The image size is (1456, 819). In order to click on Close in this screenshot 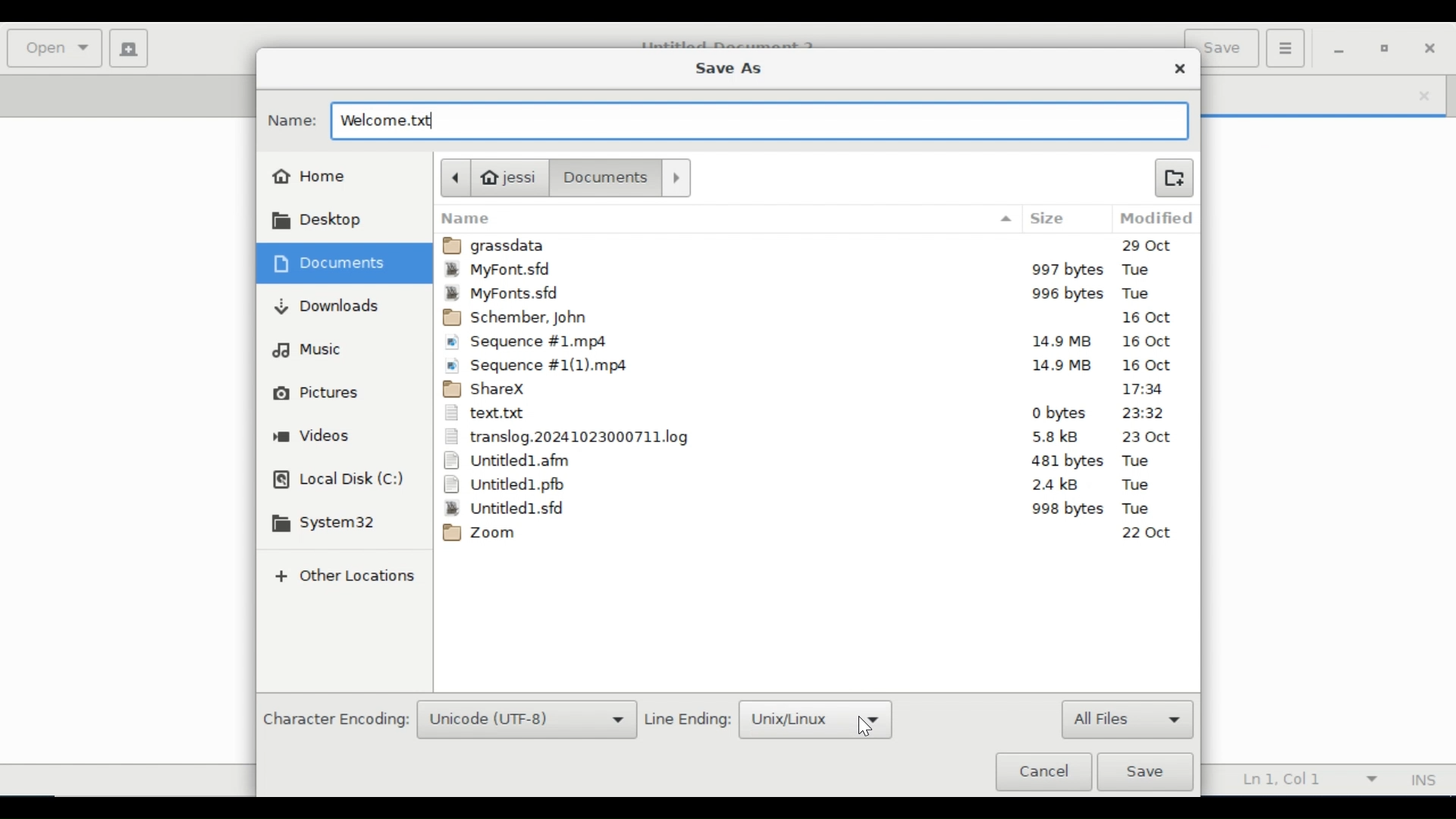, I will do `click(1434, 48)`.